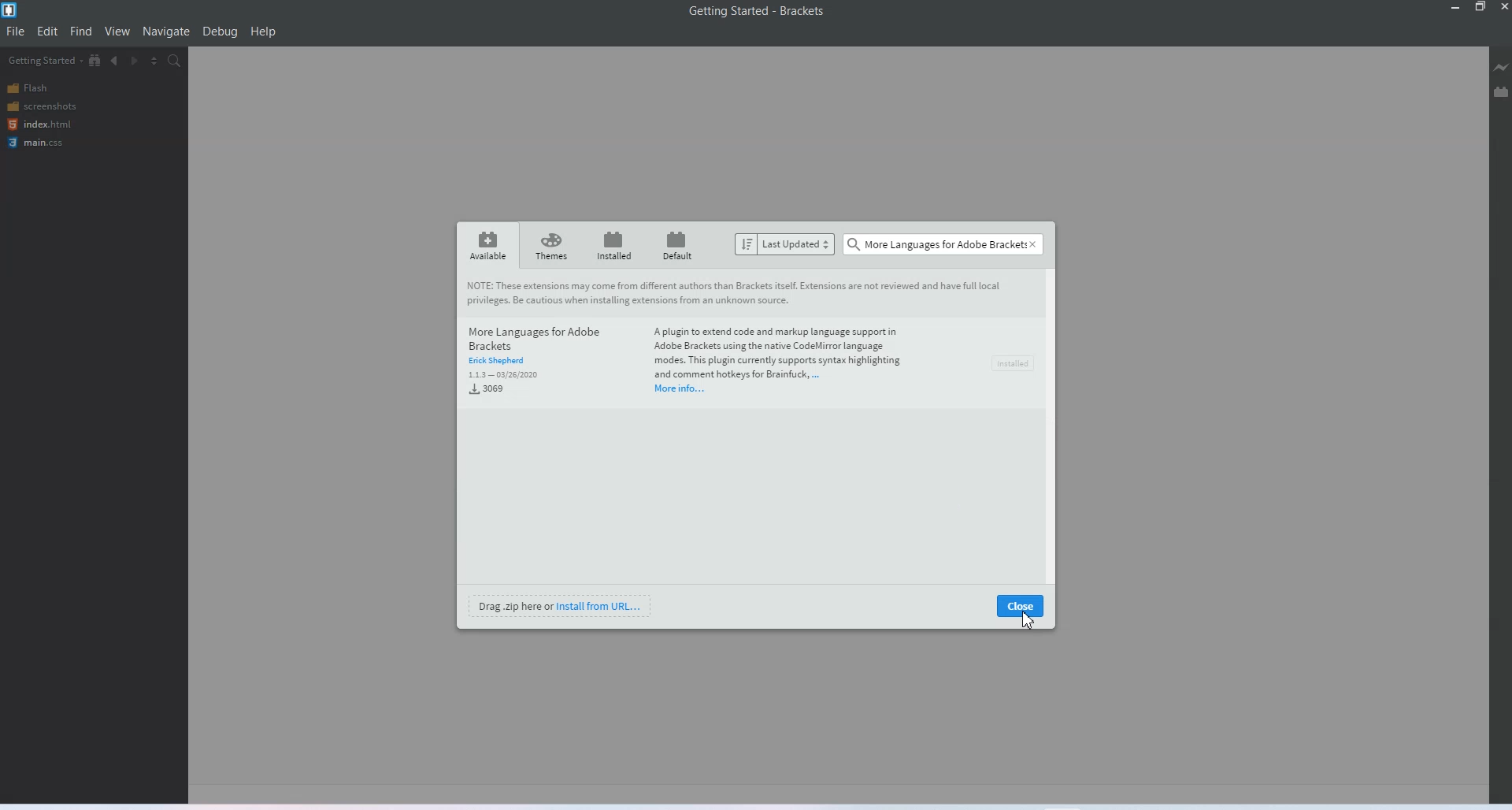  I want to click on Available, so click(489, 245).